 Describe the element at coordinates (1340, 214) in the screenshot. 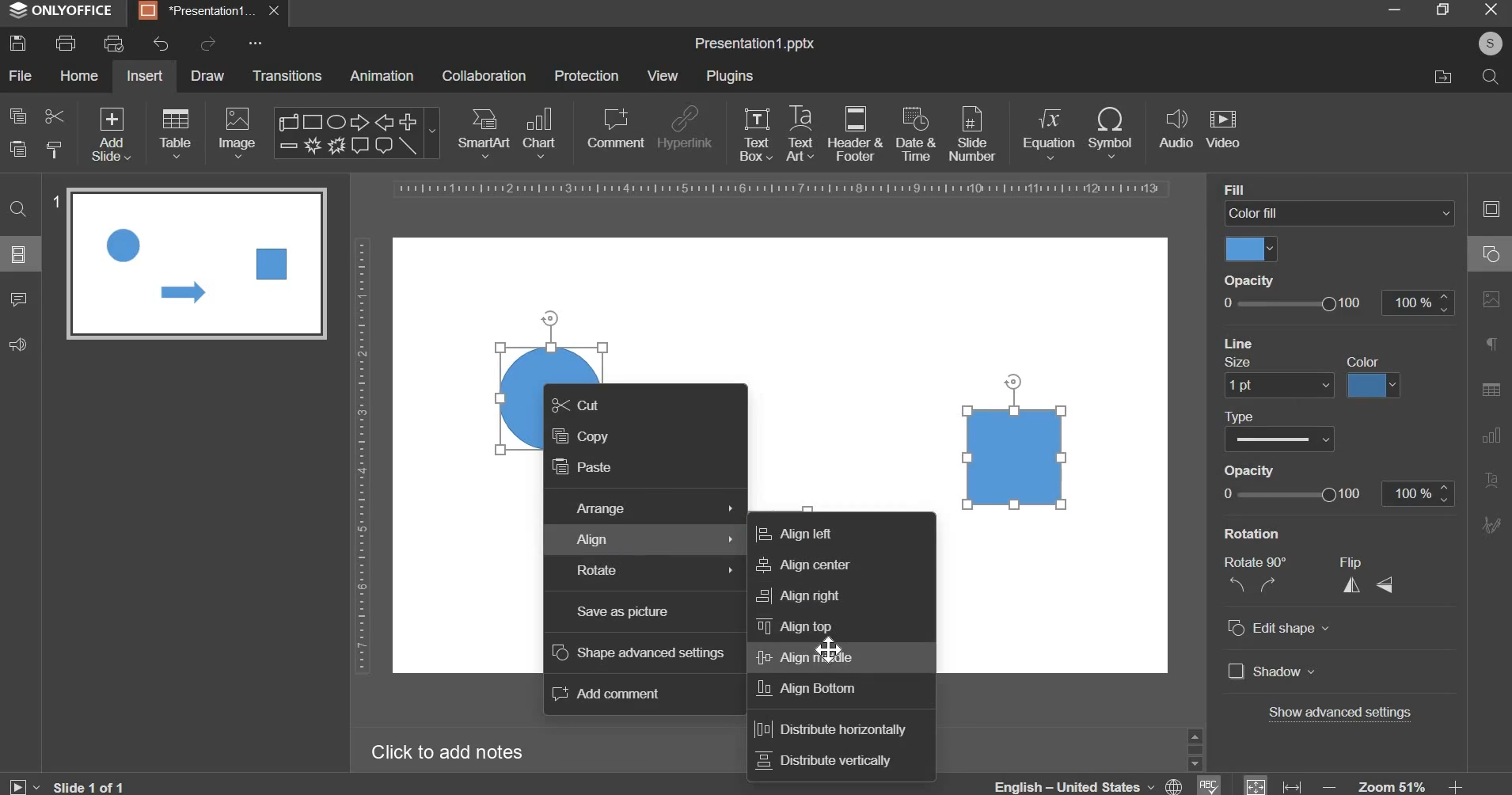

I see `background fill` at that location.